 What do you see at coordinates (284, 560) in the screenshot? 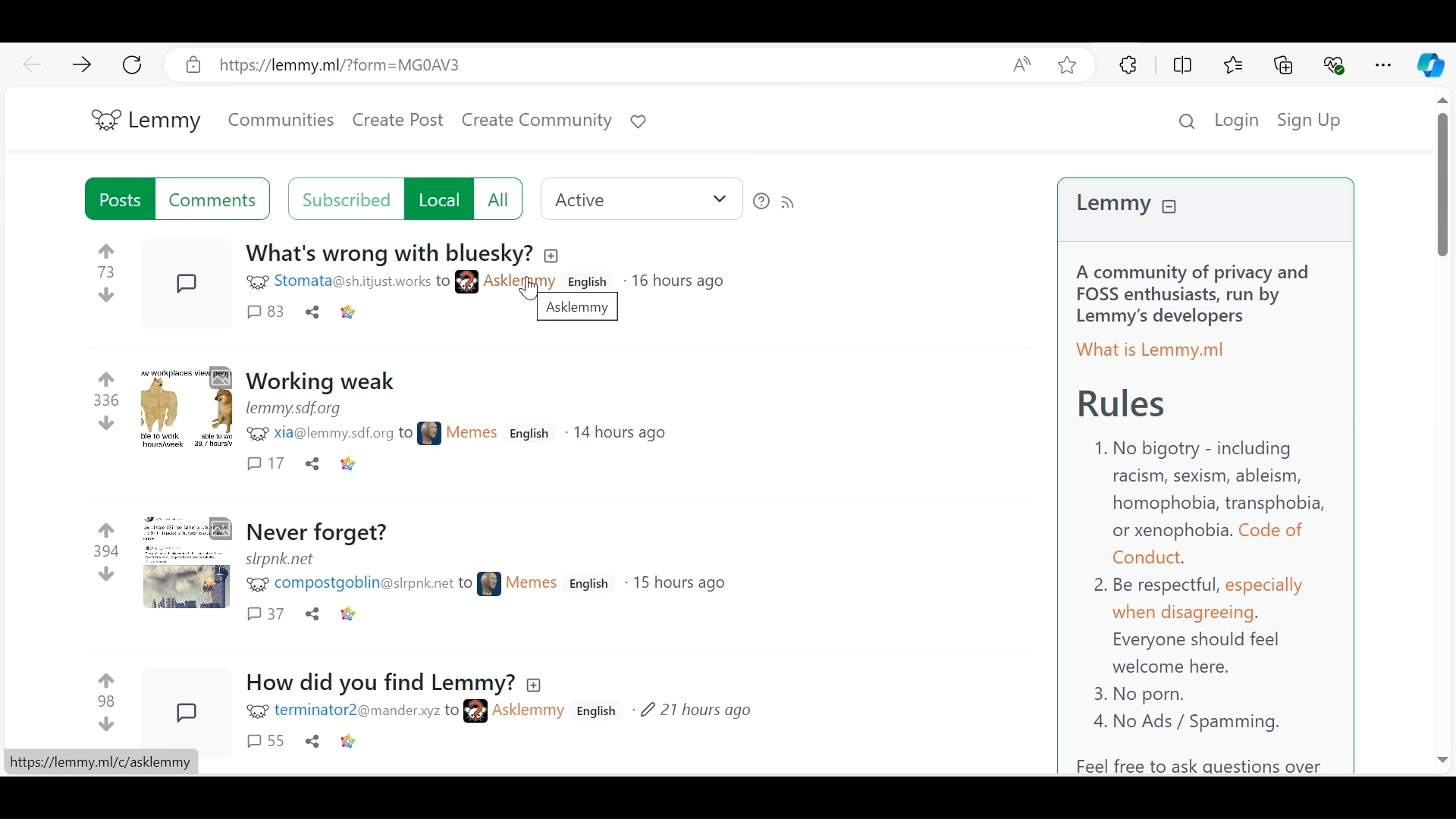
I see `link` at bounding box center [284, 560].